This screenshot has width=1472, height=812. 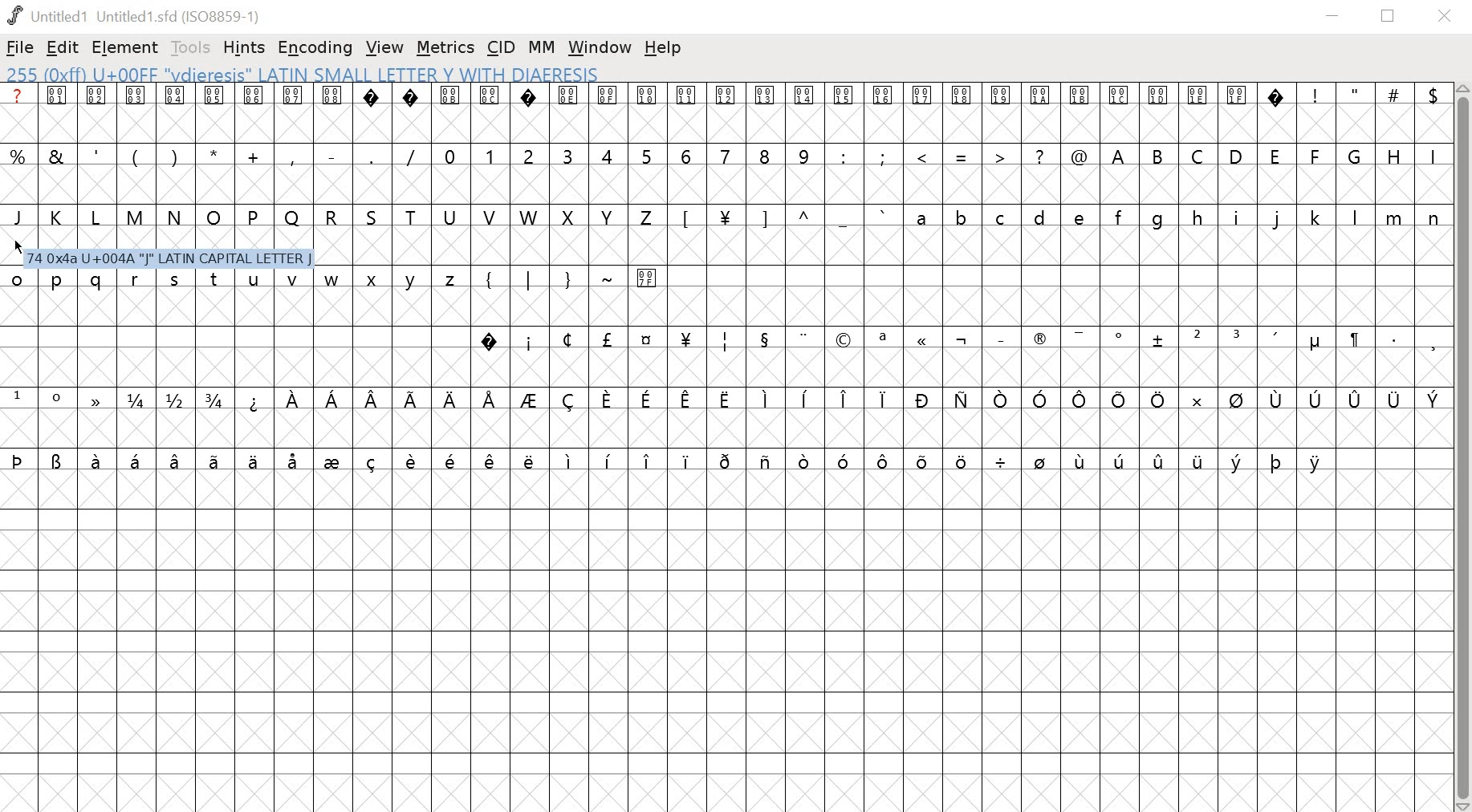 I want to click on lower case letters, so click(x=238, y=282).